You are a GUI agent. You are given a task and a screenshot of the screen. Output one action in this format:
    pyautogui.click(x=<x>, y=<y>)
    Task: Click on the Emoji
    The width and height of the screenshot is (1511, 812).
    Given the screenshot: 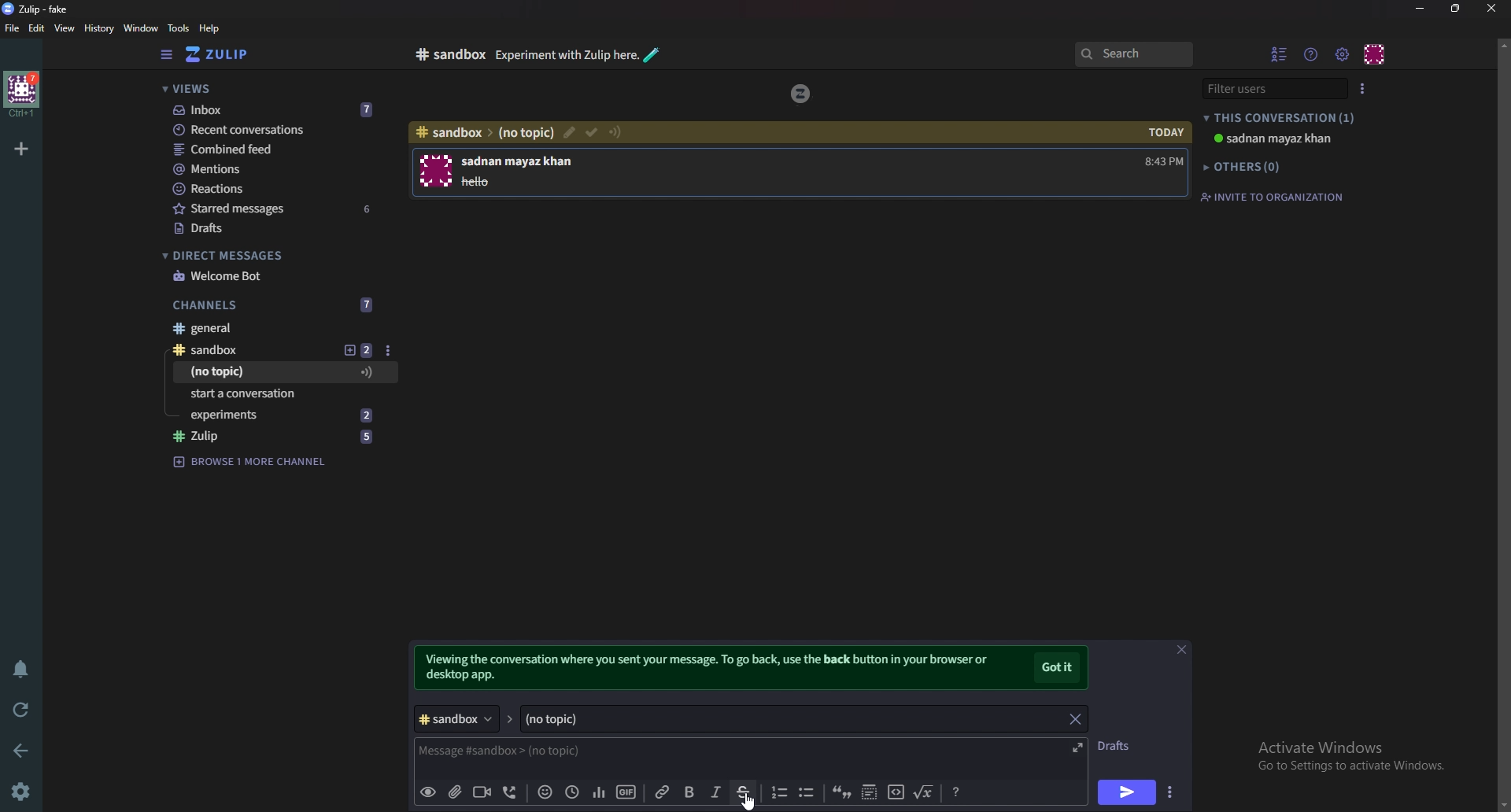 What is the action you would take?
    pyautogui.click(x=545, y=792)
    